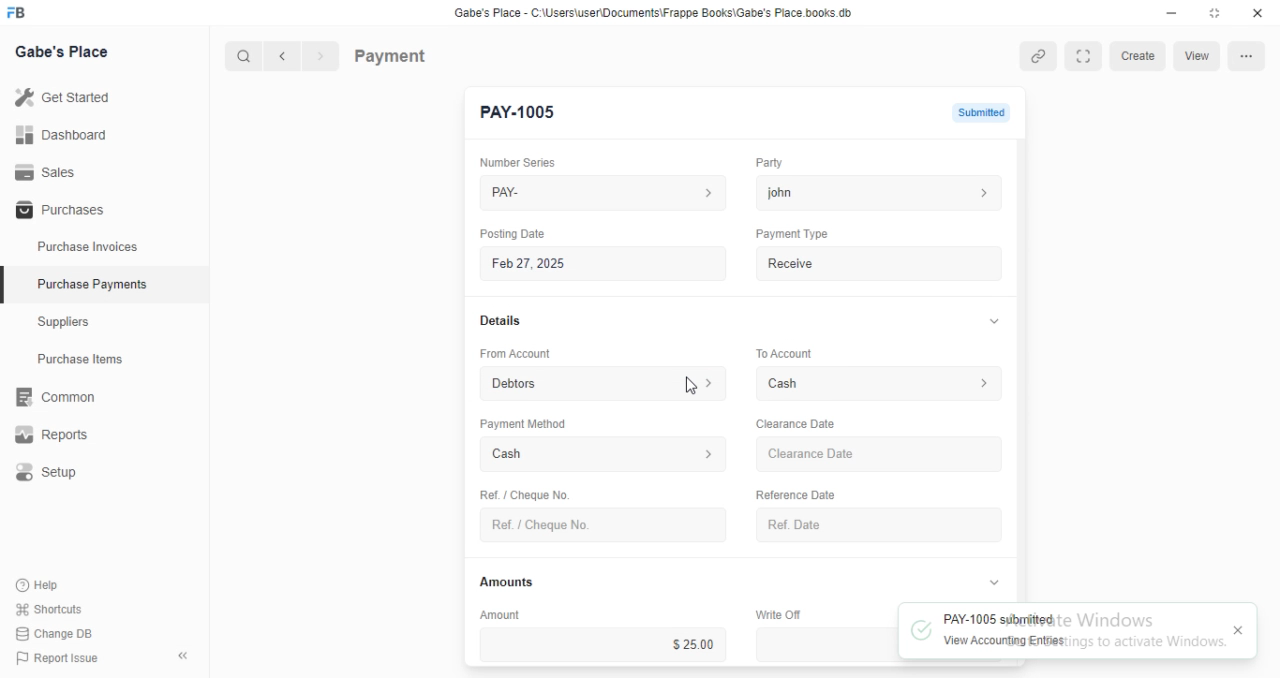 This screenshot has width=1280, height=678. Describe the element at coordinates (286, 58) in the screenshot. I see `navigate backward` at that location.